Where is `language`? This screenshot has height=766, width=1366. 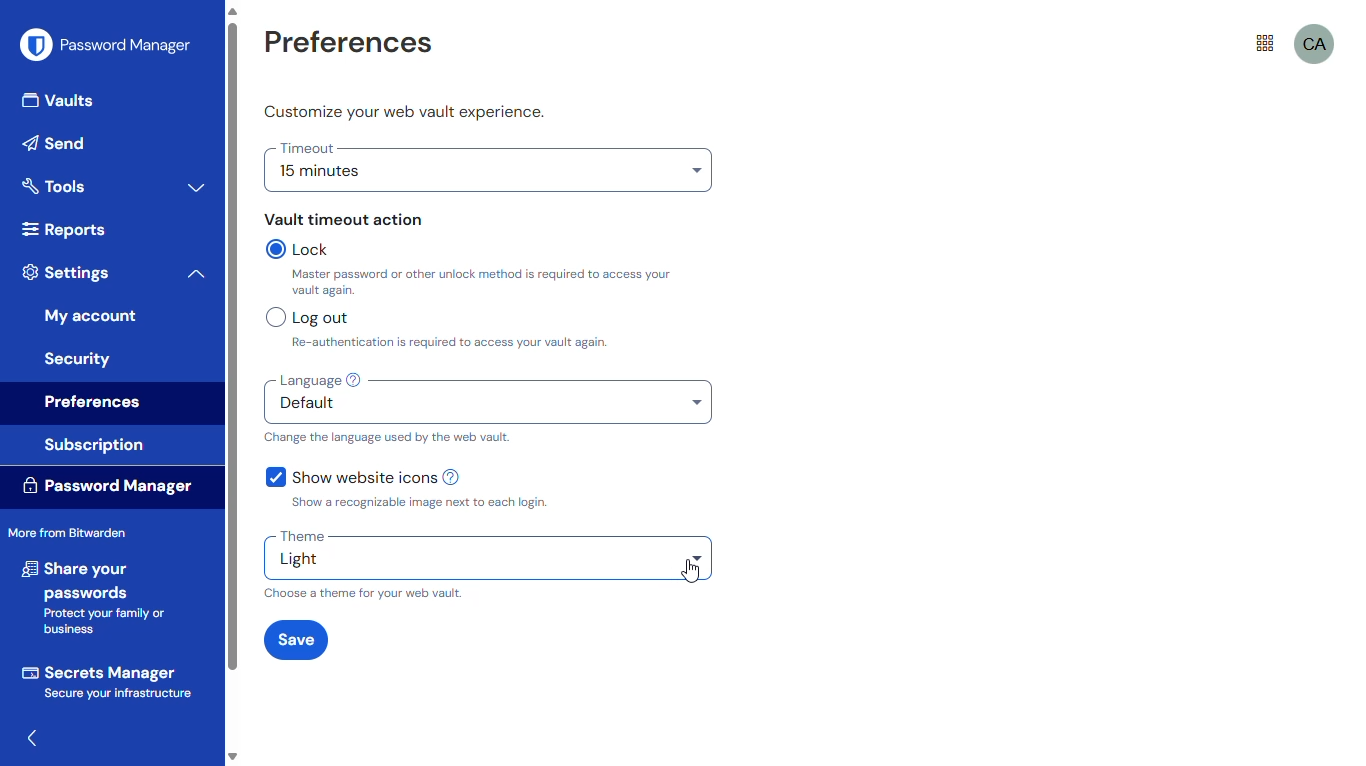 language is located at coordinates (307, 380).